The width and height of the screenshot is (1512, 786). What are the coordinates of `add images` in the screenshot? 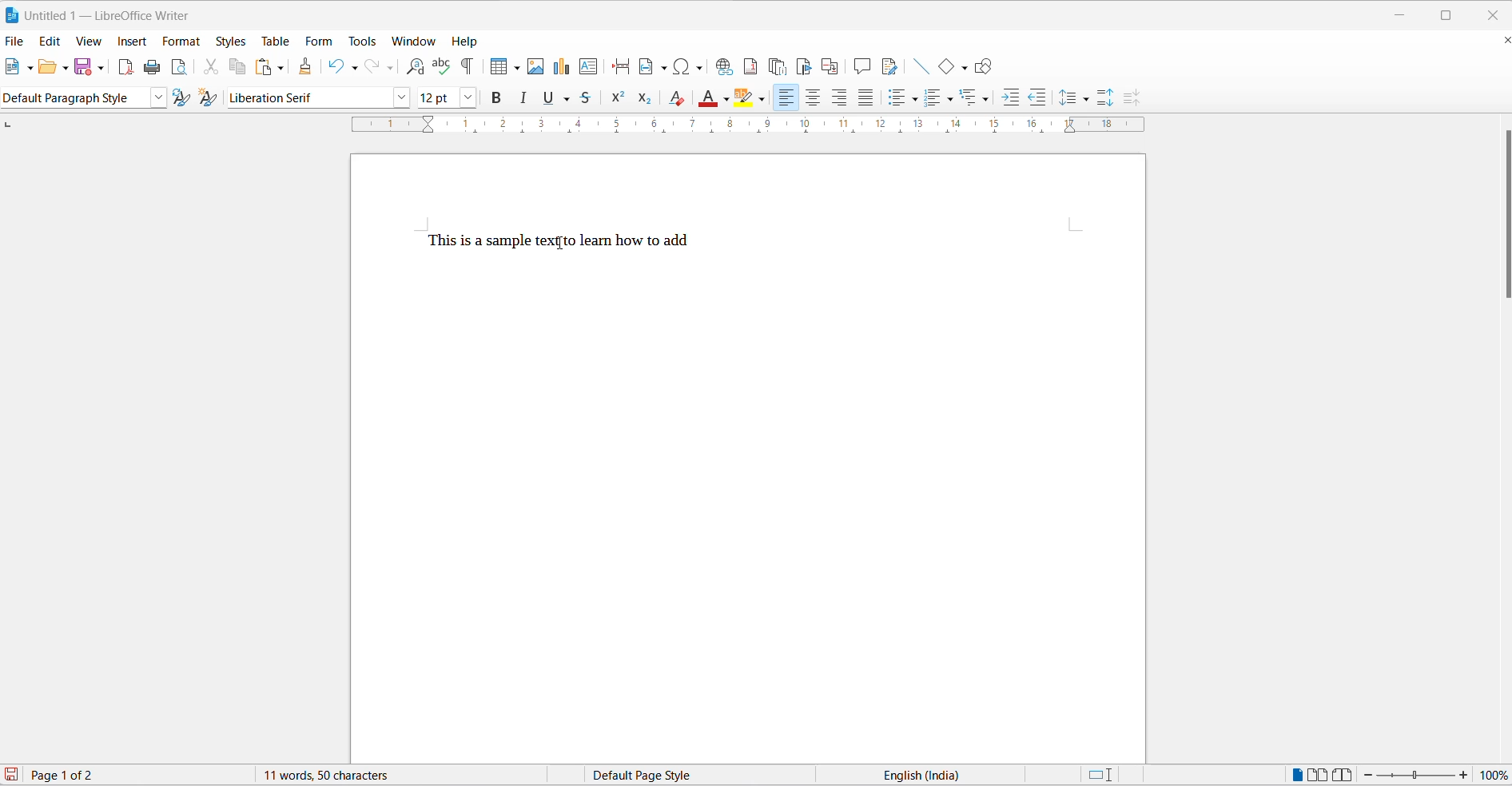 It's located at (535, 68).